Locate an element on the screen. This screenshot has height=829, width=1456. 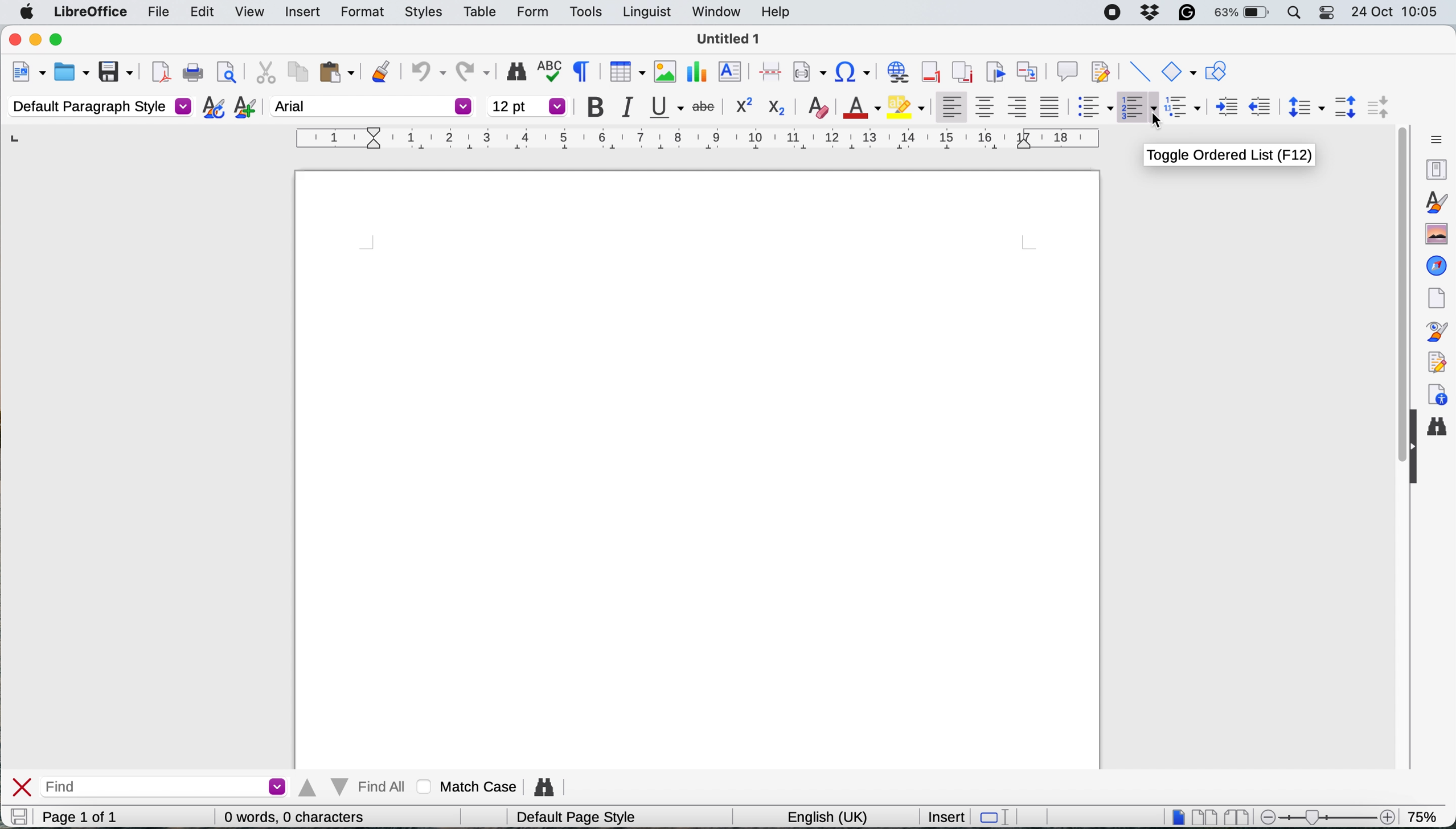
tools is located at coordinates (585, 12).